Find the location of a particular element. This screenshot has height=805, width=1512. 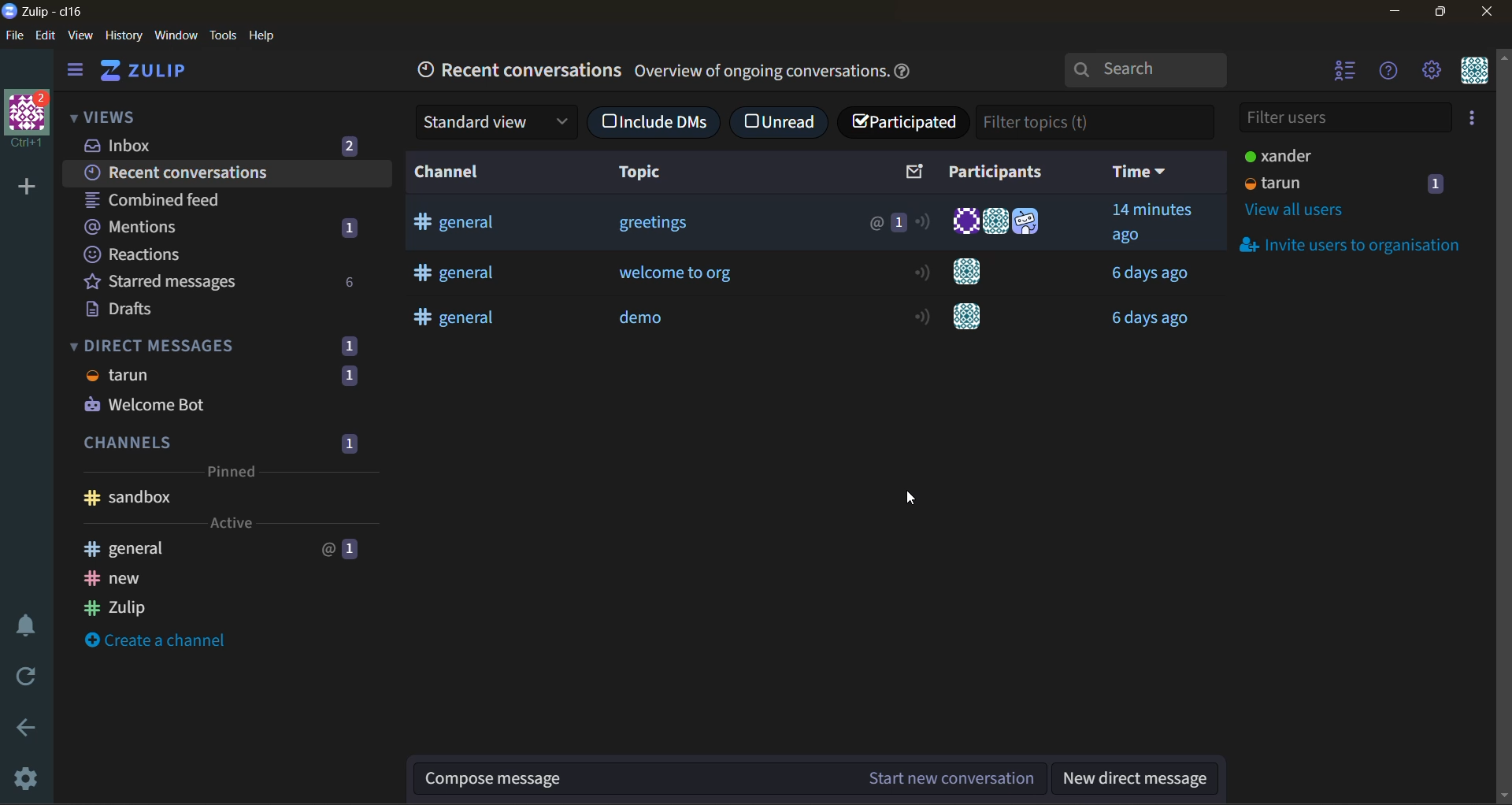

pinned is located at coordinates (233, 471).